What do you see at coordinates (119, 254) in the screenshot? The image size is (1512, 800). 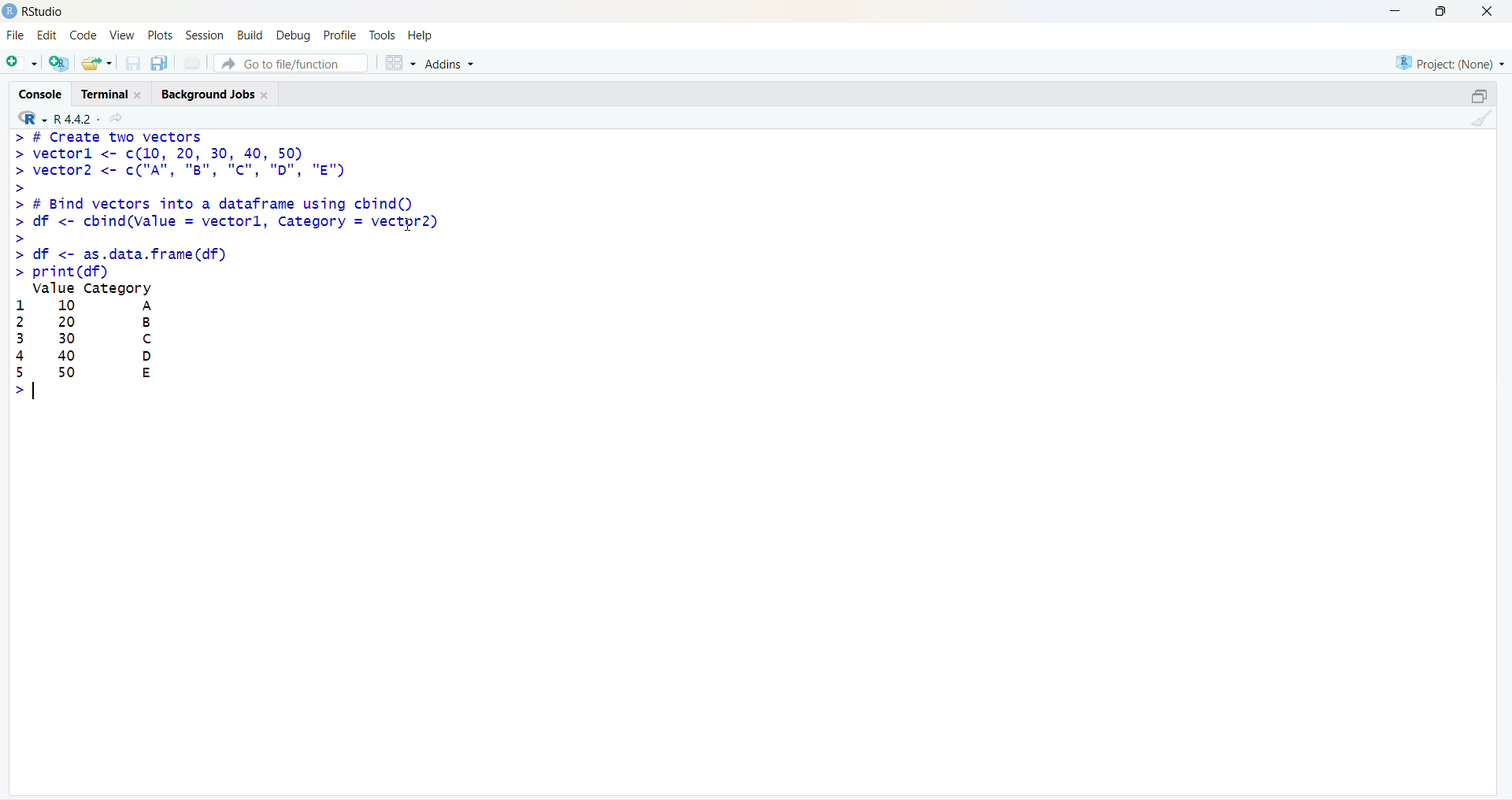 I see `df <- as.data.frame(df)` at bounding box center [119, 254].